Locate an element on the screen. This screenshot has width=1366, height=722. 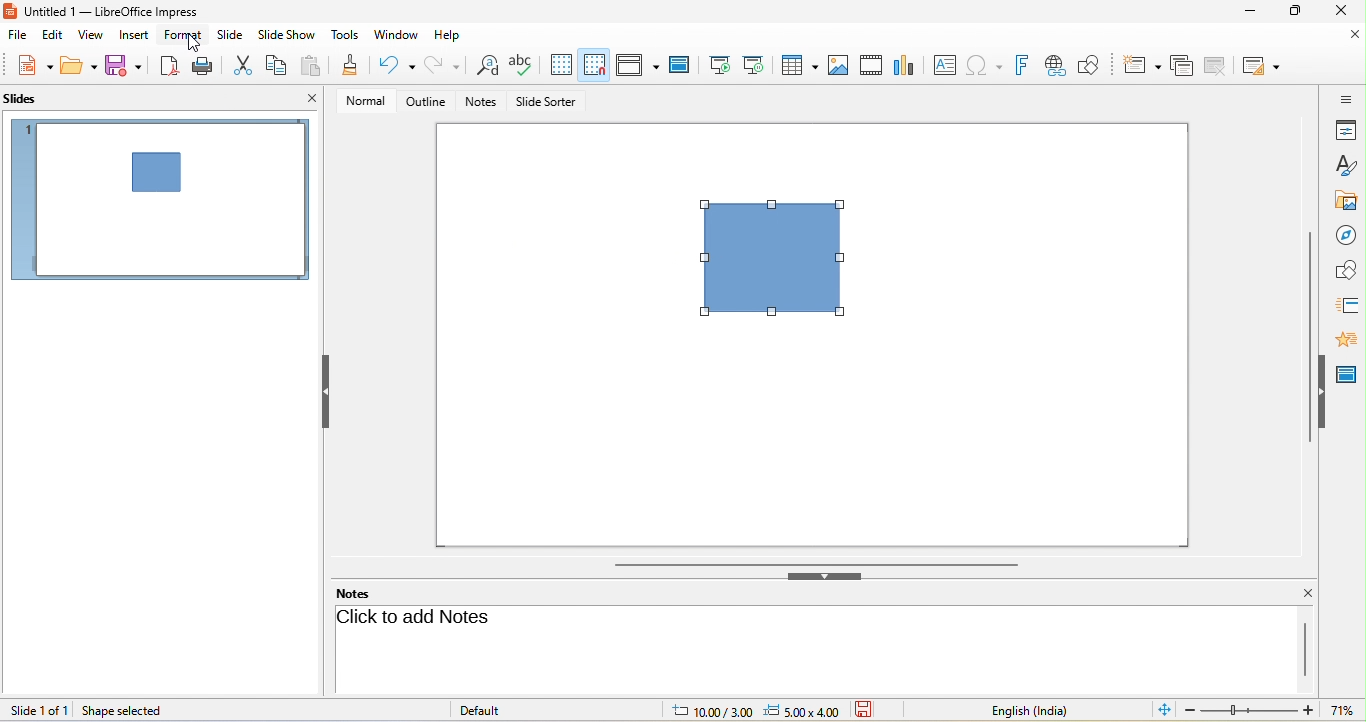
video/audio is located at coordinates (870, 63).